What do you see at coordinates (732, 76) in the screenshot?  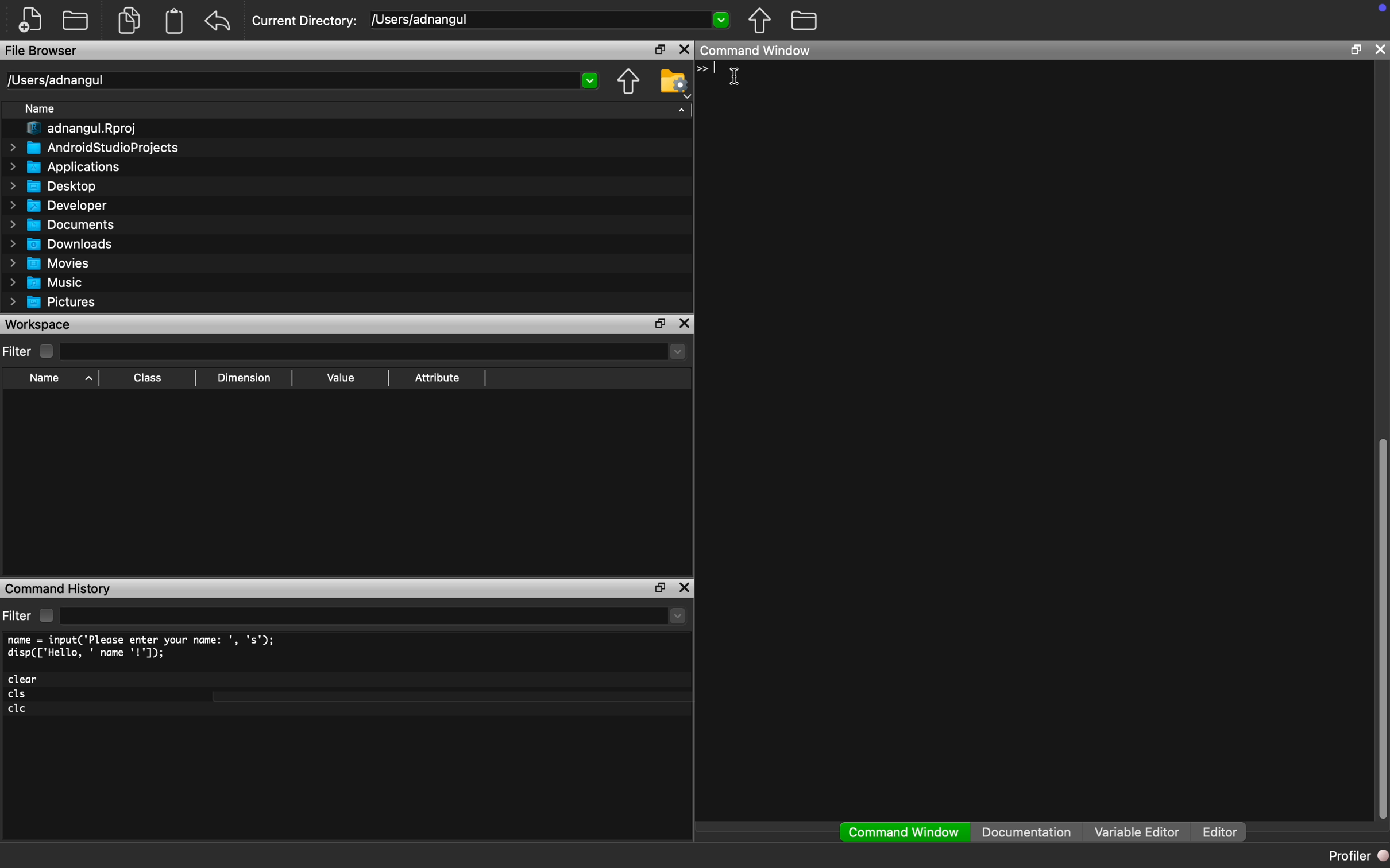 I see `Cursor` at bounding box center [732, 76].